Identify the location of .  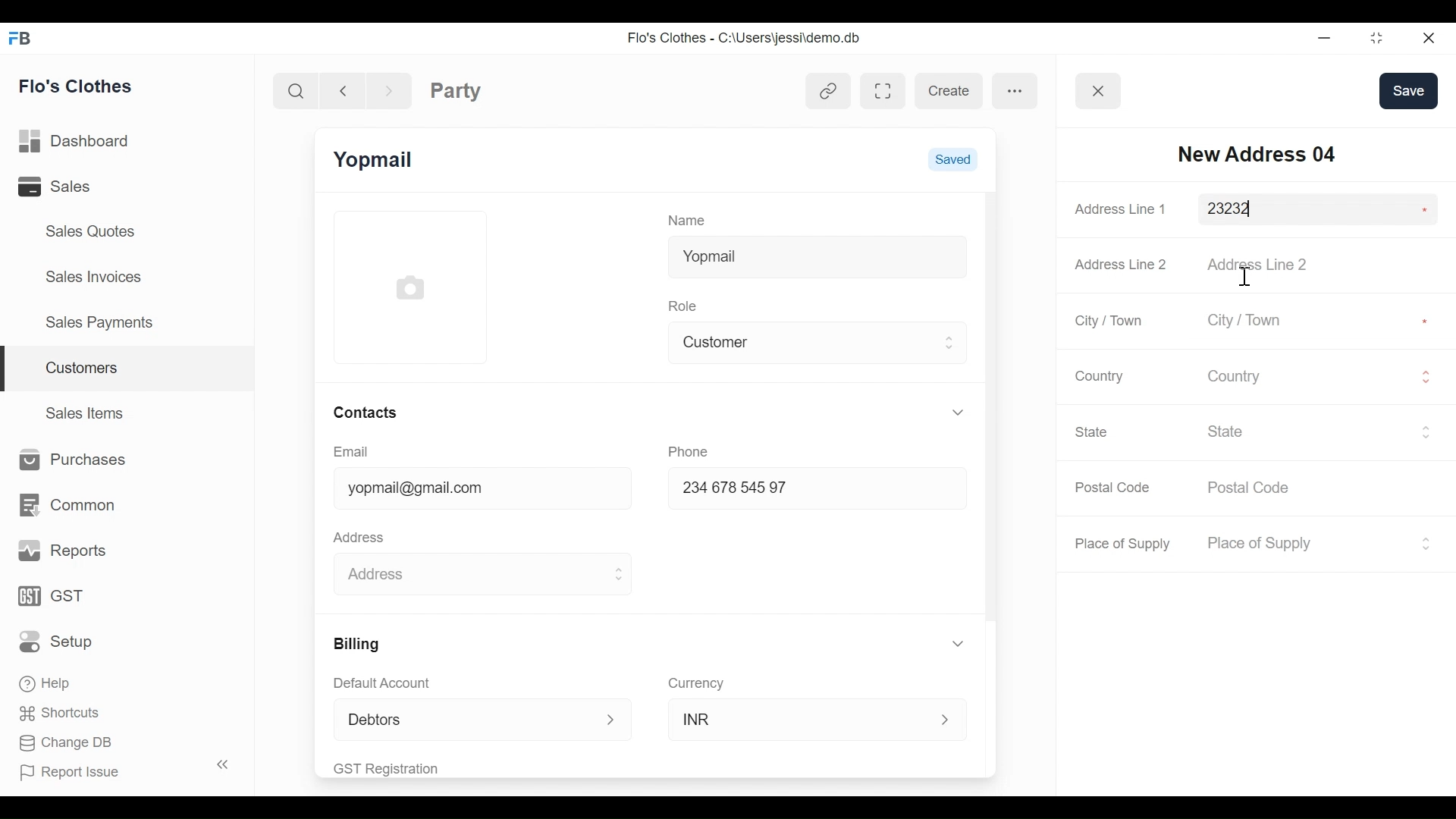
(1099, 91).